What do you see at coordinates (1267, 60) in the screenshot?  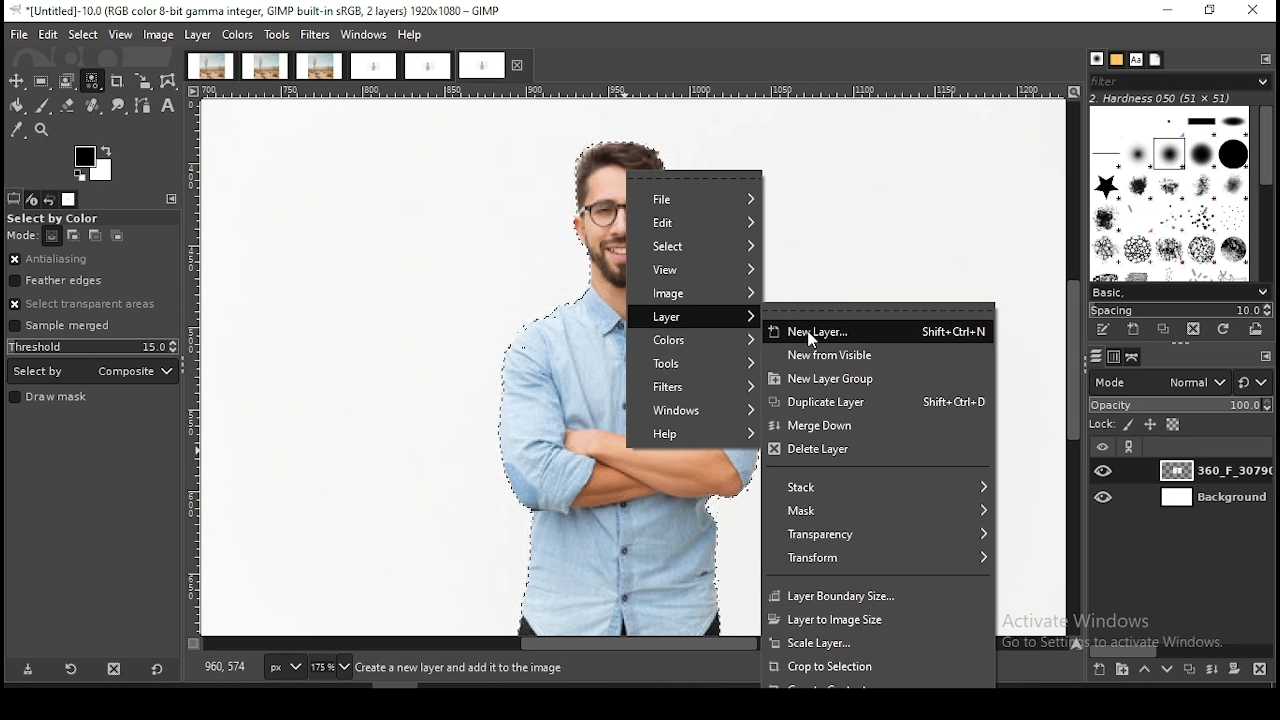 I see `configure this tab` at bounding box center [1267, 60].